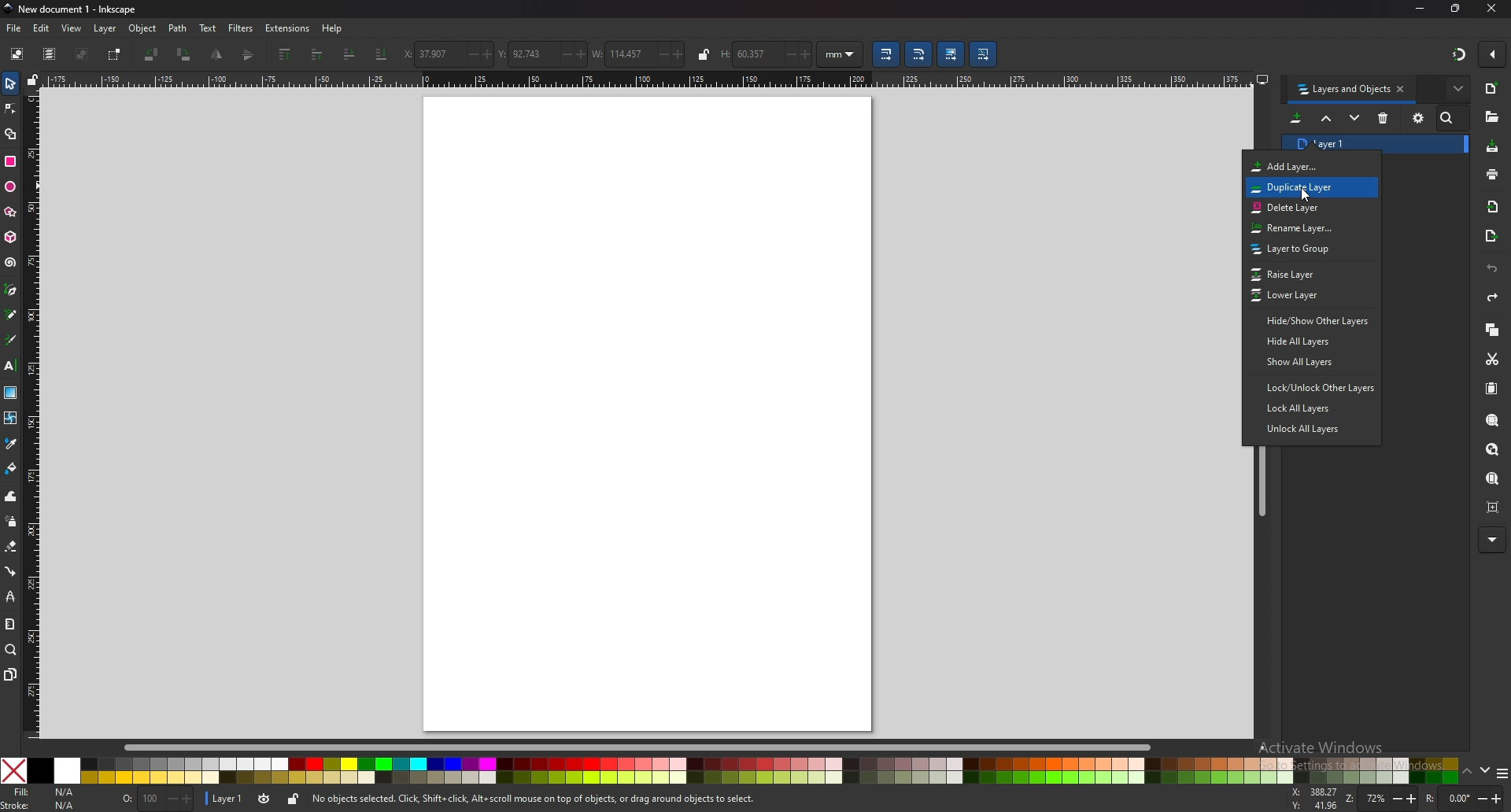  What do you see at coordinates (1297, 118) in the screenshot?
I see `add layer` at bounding box center [1297, 118].